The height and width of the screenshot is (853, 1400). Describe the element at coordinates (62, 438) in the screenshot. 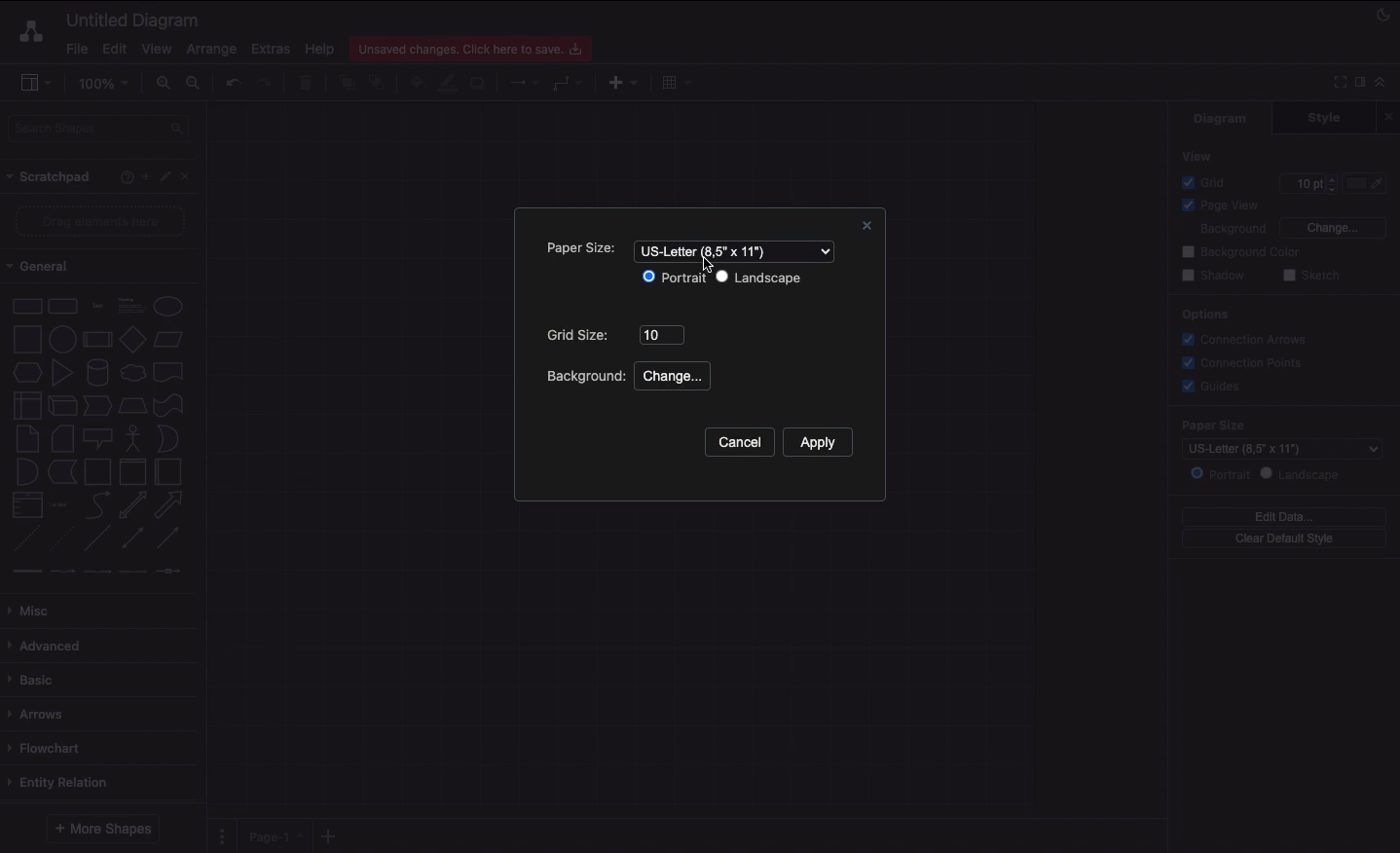

I see `Card` at that location.